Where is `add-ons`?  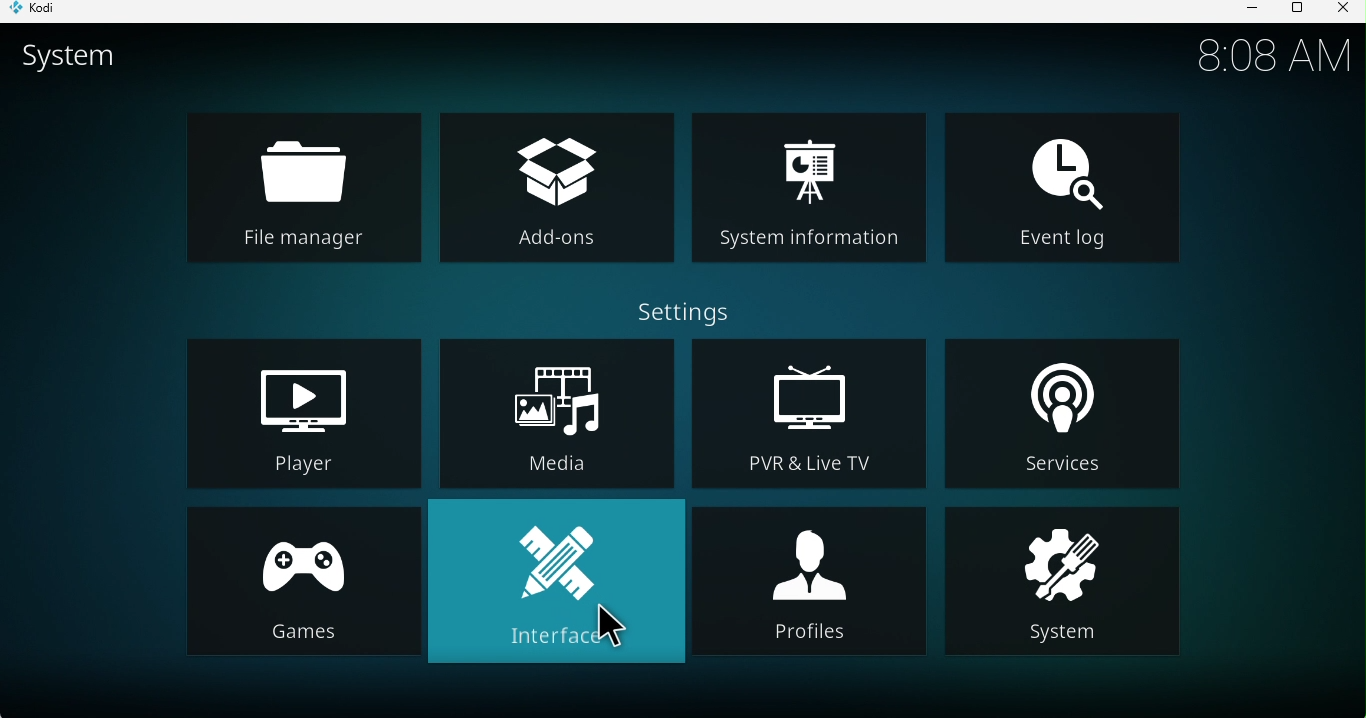
add-ons is located at coordinates (558, 188).